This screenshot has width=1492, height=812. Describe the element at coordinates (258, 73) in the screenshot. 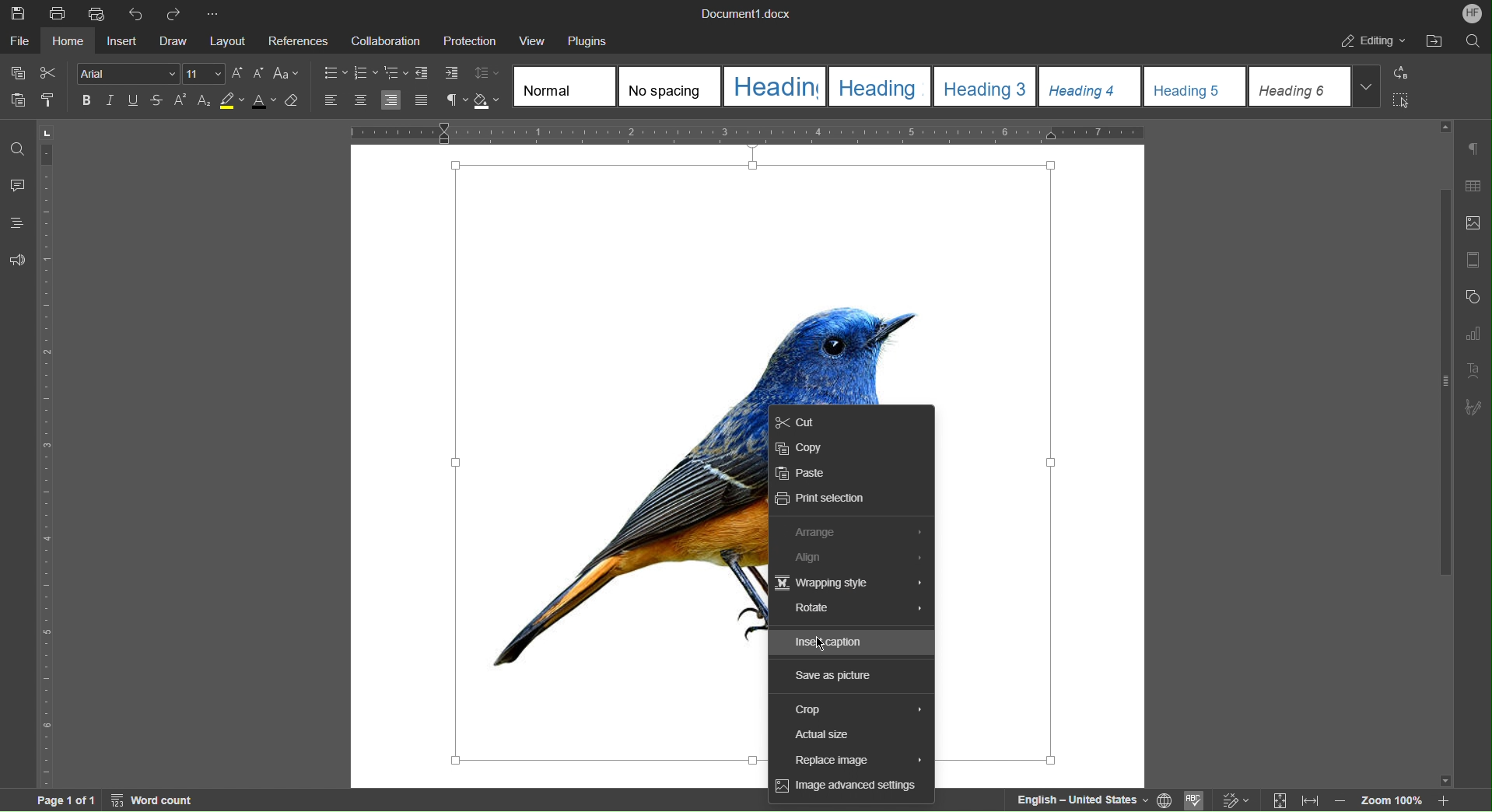

I see `Decrease Font Size` at that location.